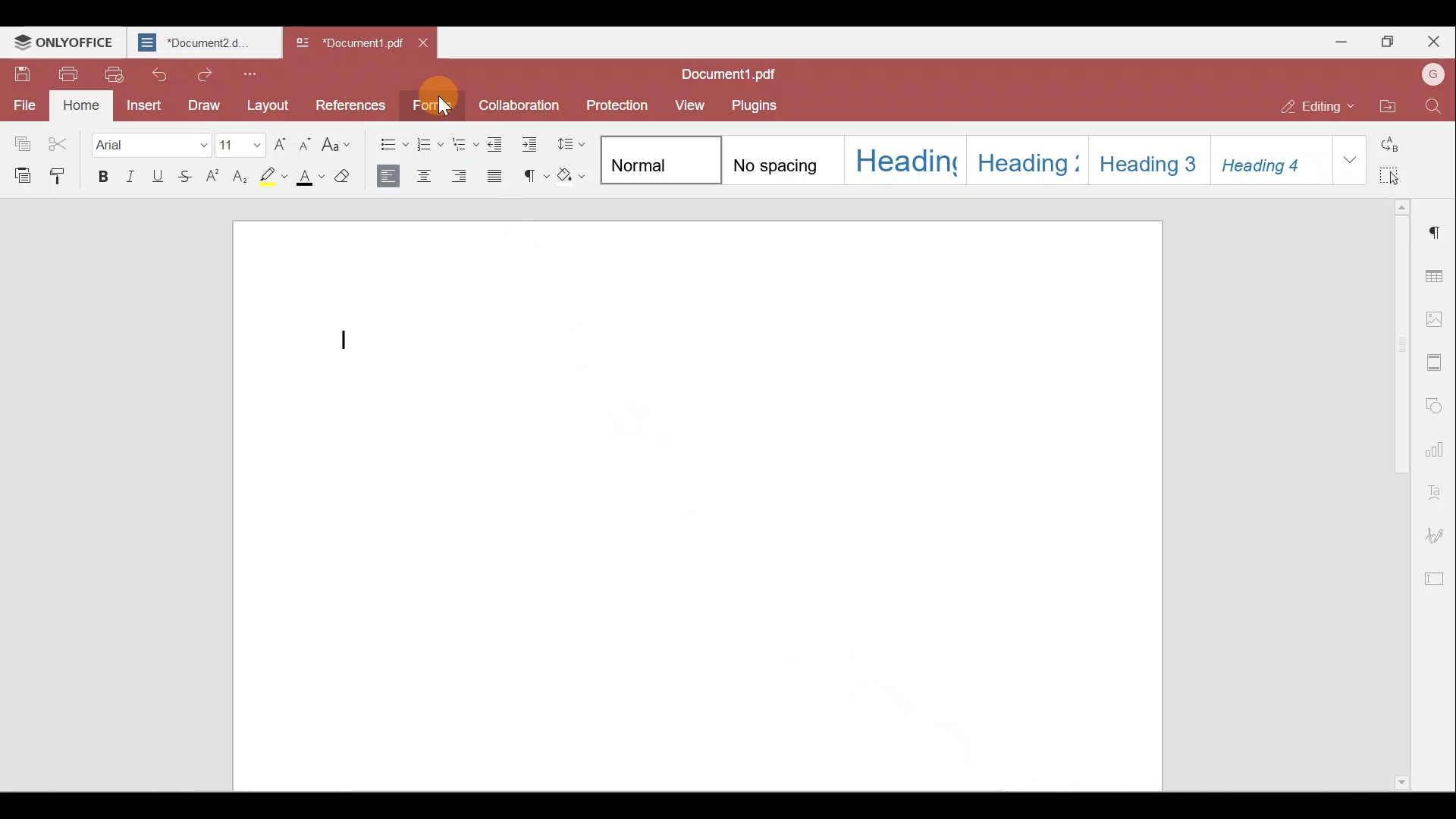 The width and height of the screenshot is (1456, 819). What do you see at coordinates (150, 145) in the screenshot?
I see `Font name` at bounding box center [150, 145].